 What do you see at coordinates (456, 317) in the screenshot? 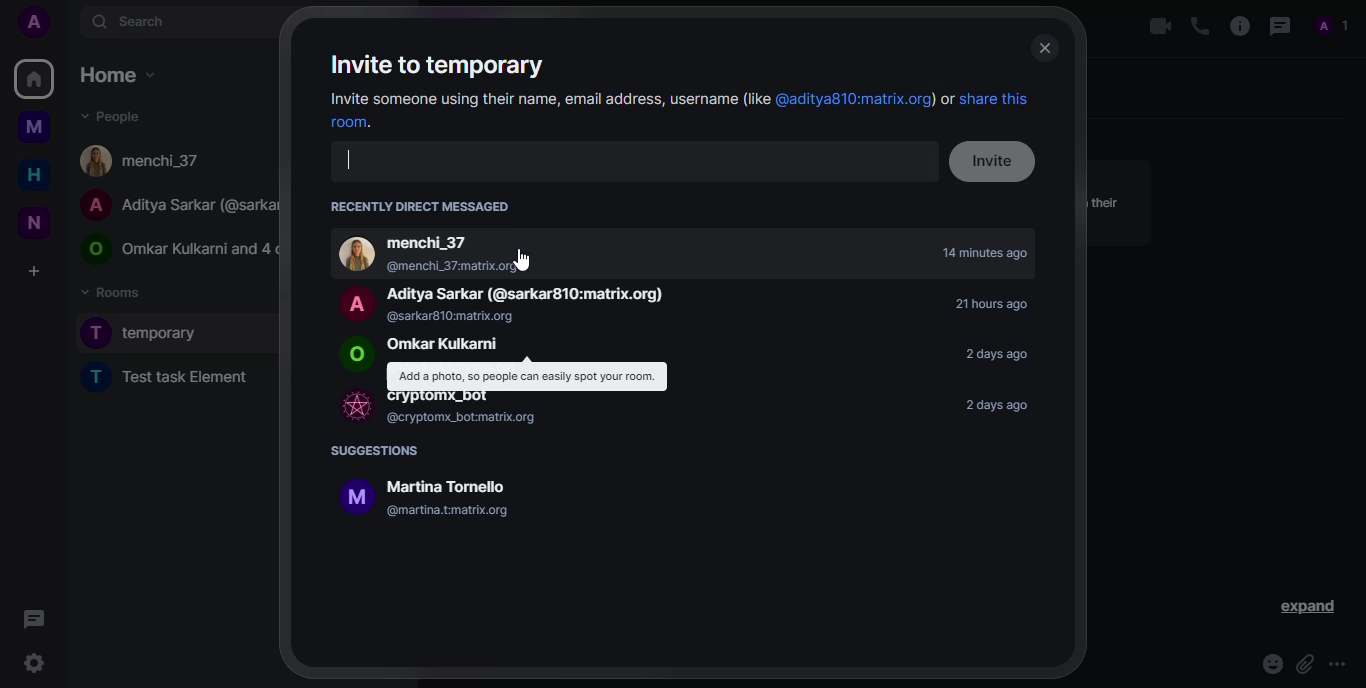
I see `(@sarkarg10:matrix.org` at bounding box center [456, 317].